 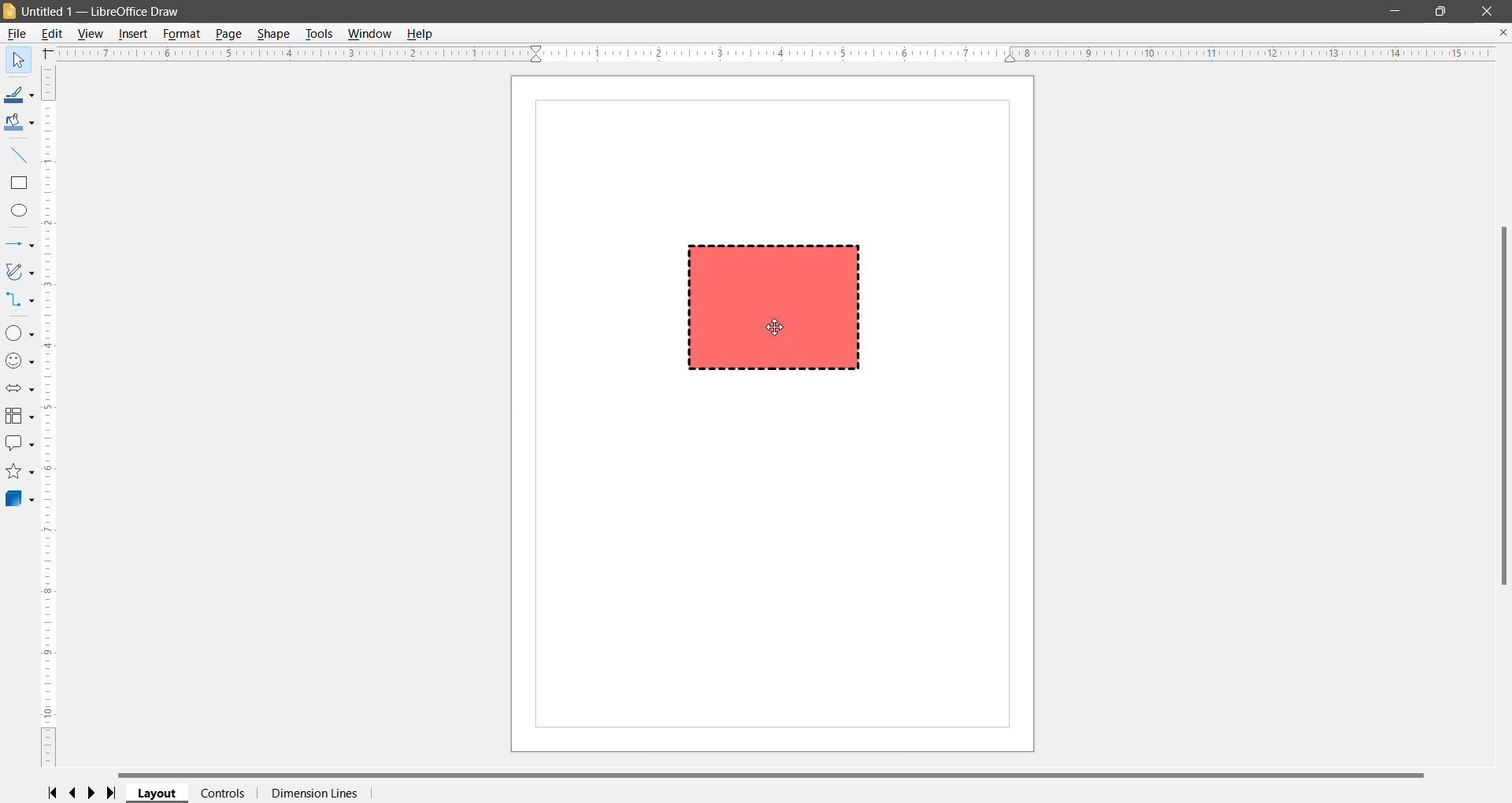 I want to click on Shape, so click(x=275, y=35).